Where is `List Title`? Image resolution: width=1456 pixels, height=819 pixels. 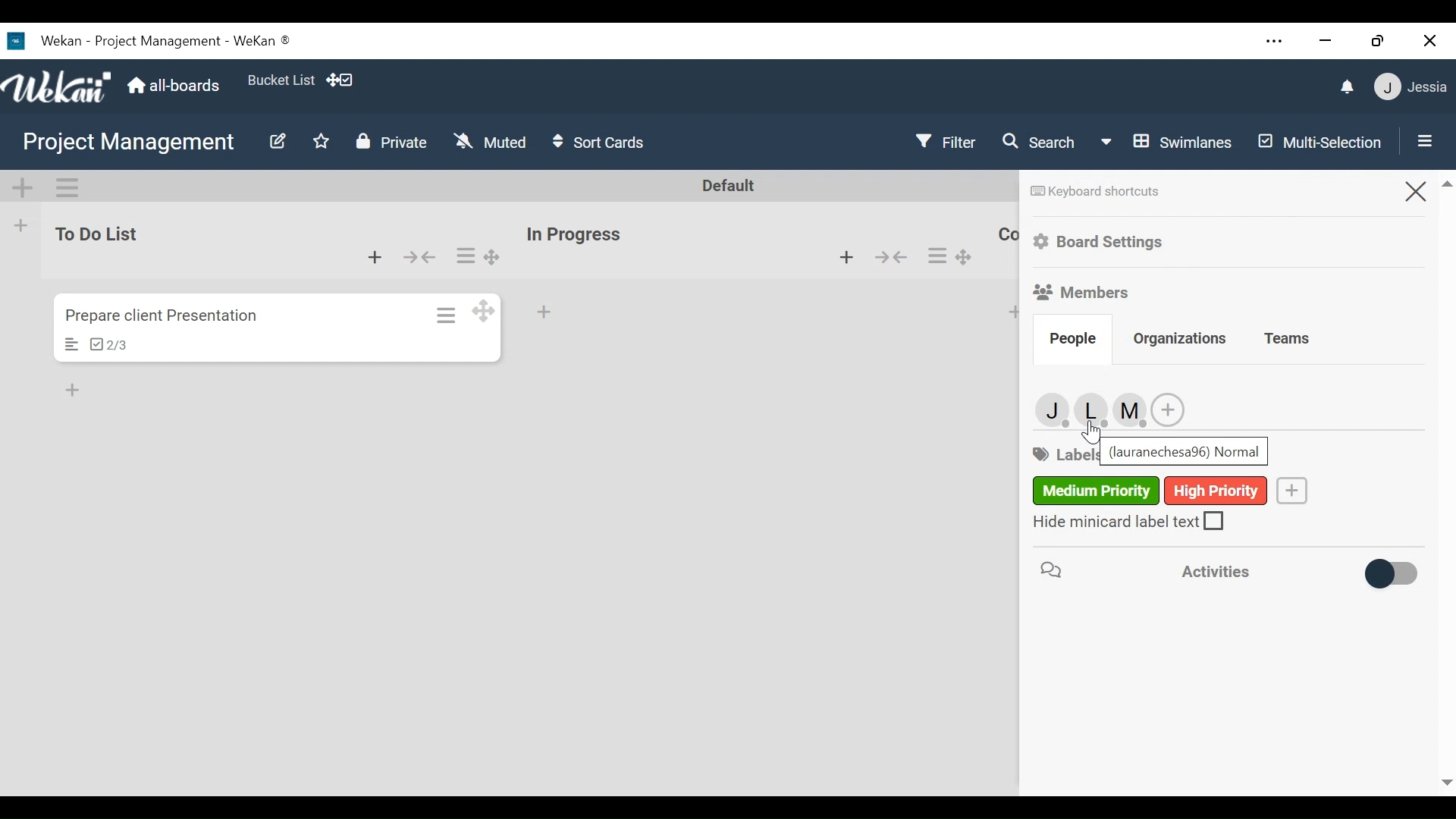 List Title is located at coordinates (573, 235).